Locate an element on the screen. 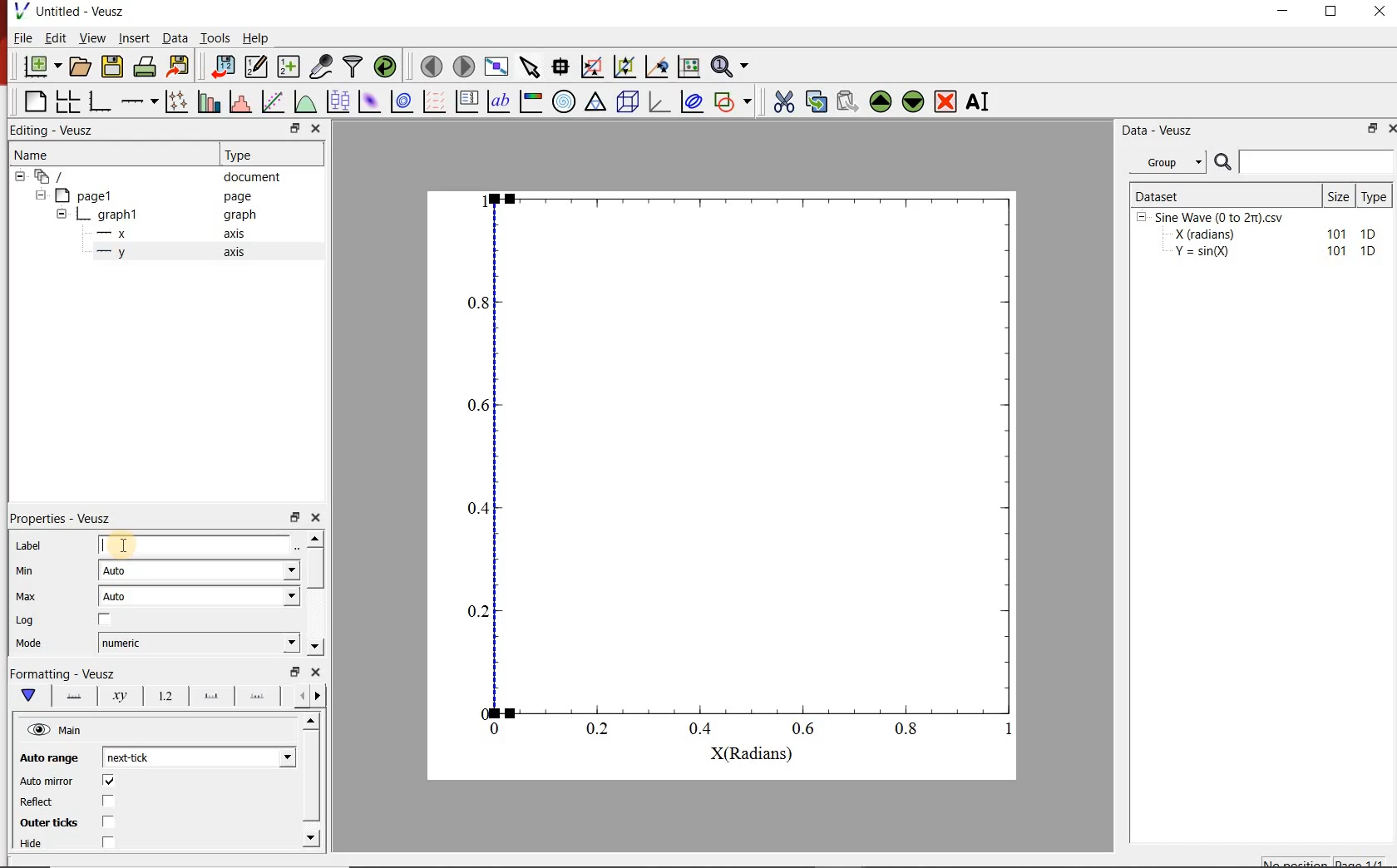  image color bar is located at coordinates (531, 101).